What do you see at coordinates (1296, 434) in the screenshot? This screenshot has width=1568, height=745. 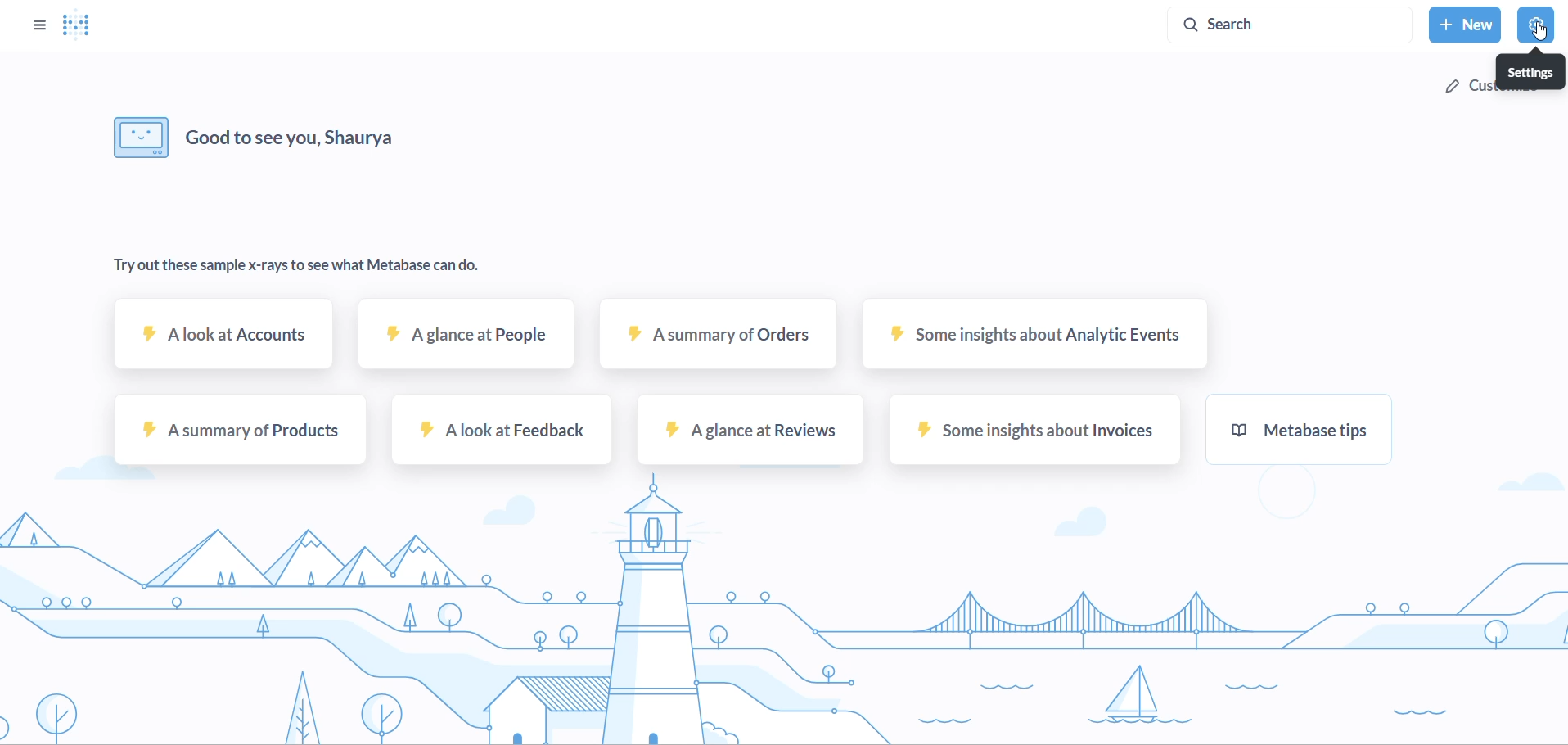 I see `metabase tips` at bounding box center [1296, 434].